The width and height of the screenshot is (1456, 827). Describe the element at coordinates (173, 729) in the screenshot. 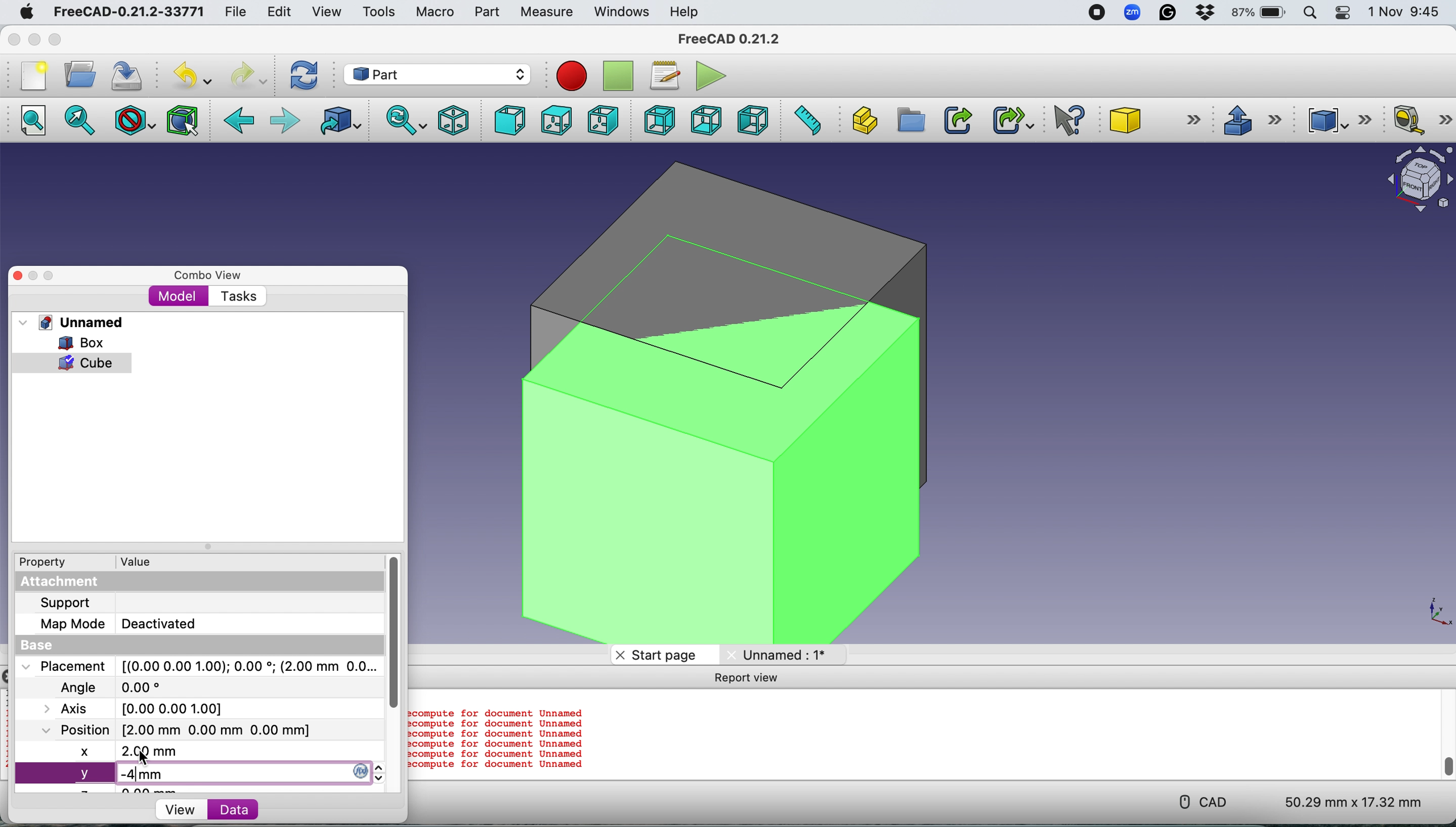

I see `Position [2.00 mm 0.00 mm 0.00 mm]` at that location.